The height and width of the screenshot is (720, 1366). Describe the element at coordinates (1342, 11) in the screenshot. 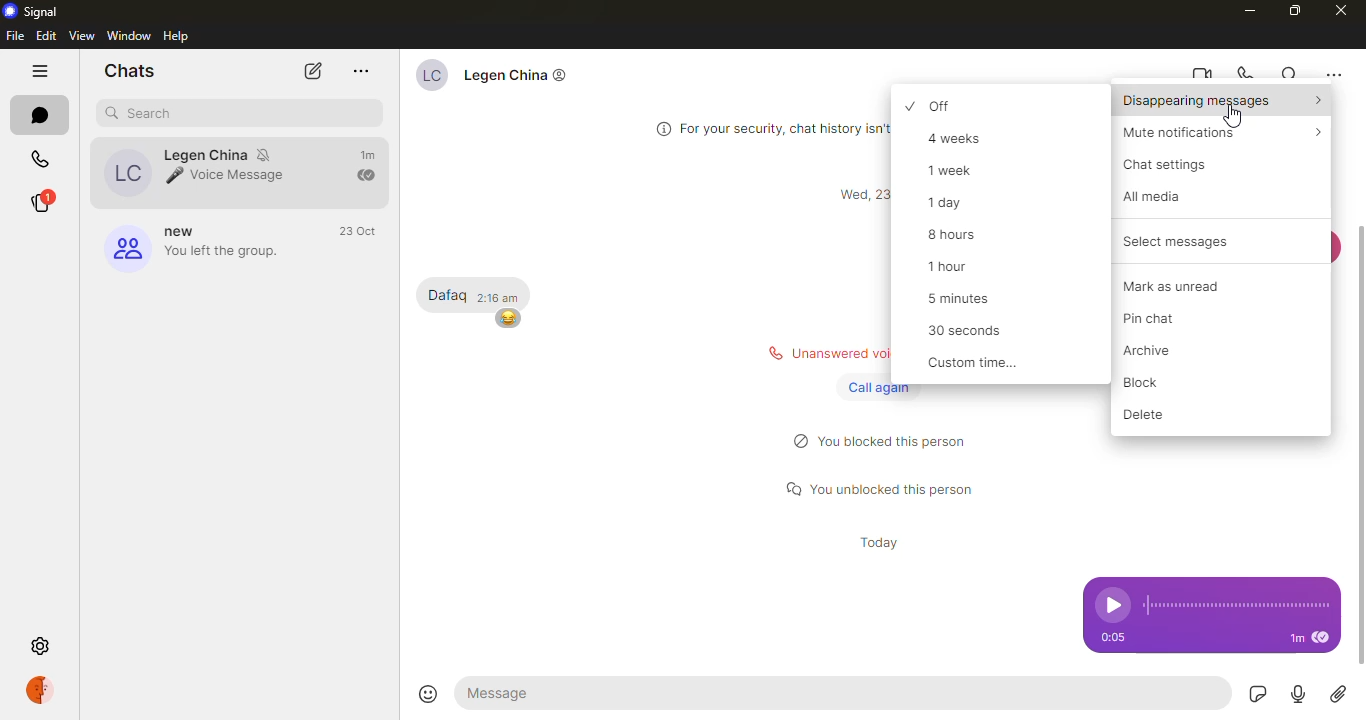

I see `close` at that location.